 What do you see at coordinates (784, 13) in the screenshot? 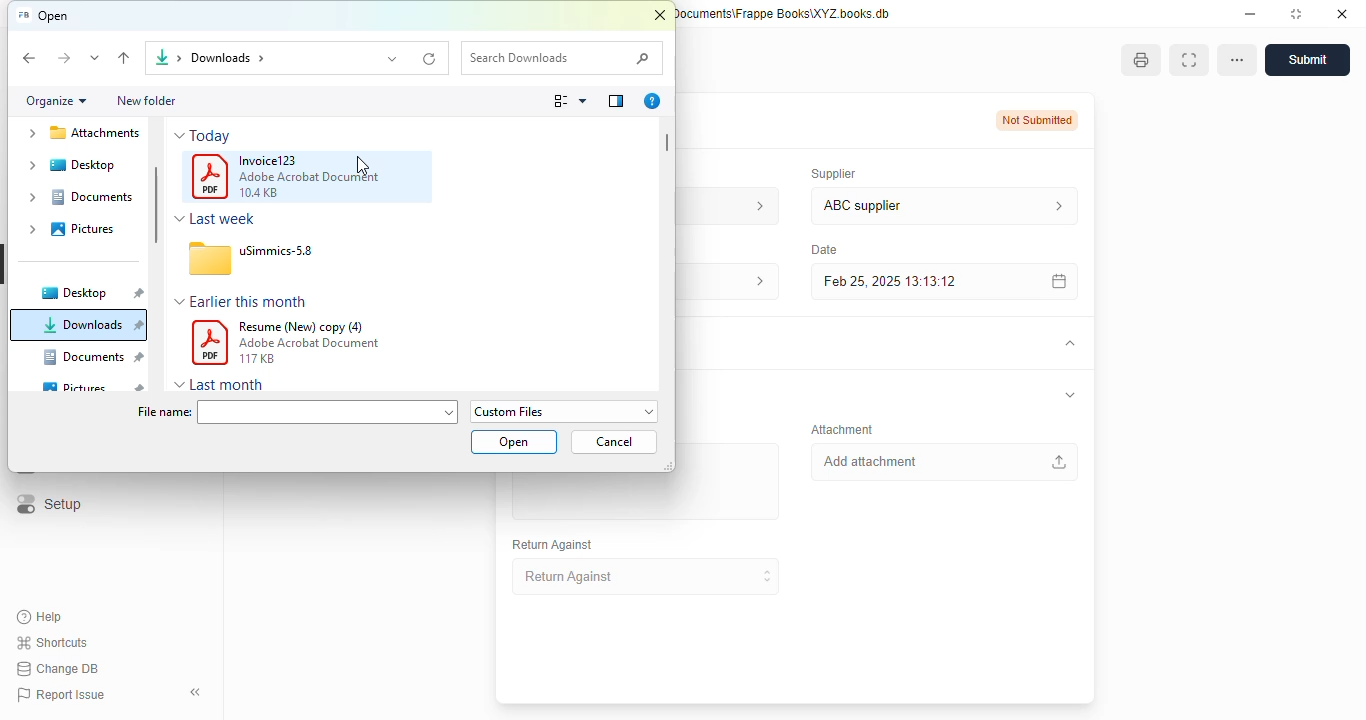
I see `XYZ - C:\Users\hsbc\OneDrive\Documents\Frappe Books\XYZ books.db` at bounding box center [784, 13].